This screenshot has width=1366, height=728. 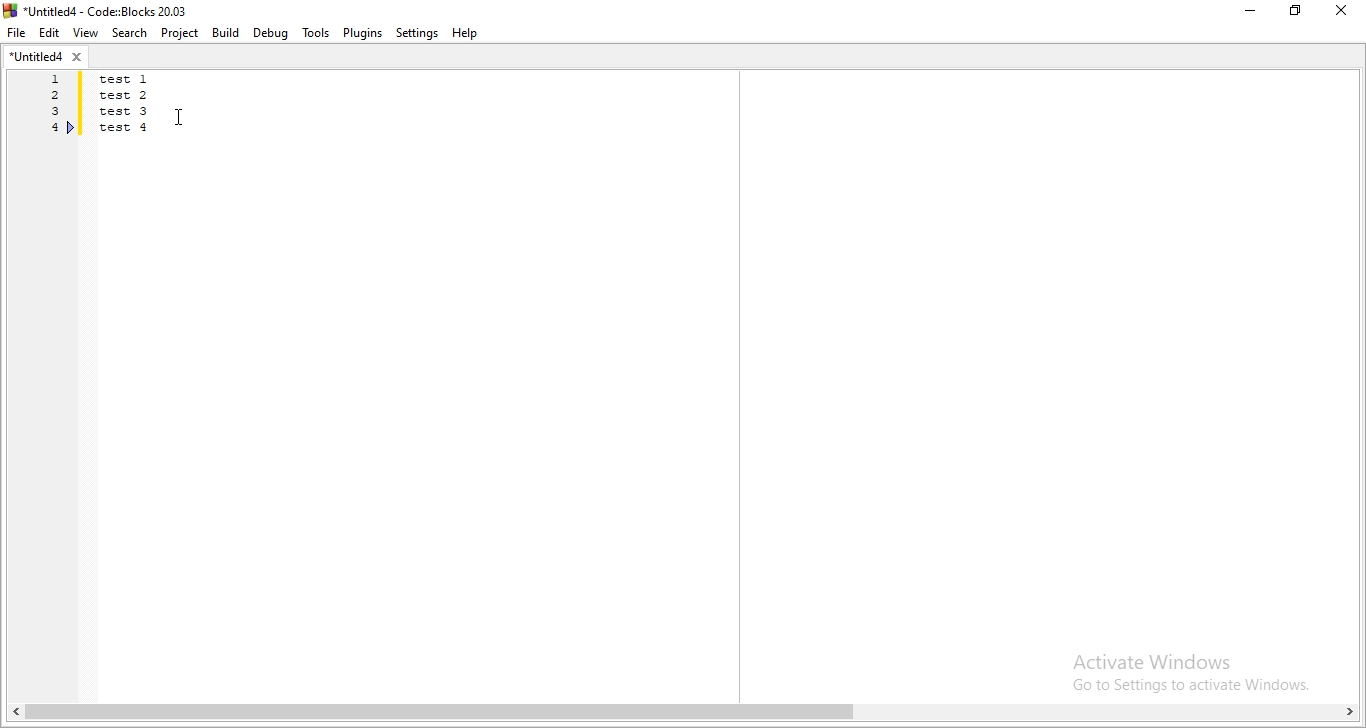 I want to click on cursor, so click(x=179, y=114).